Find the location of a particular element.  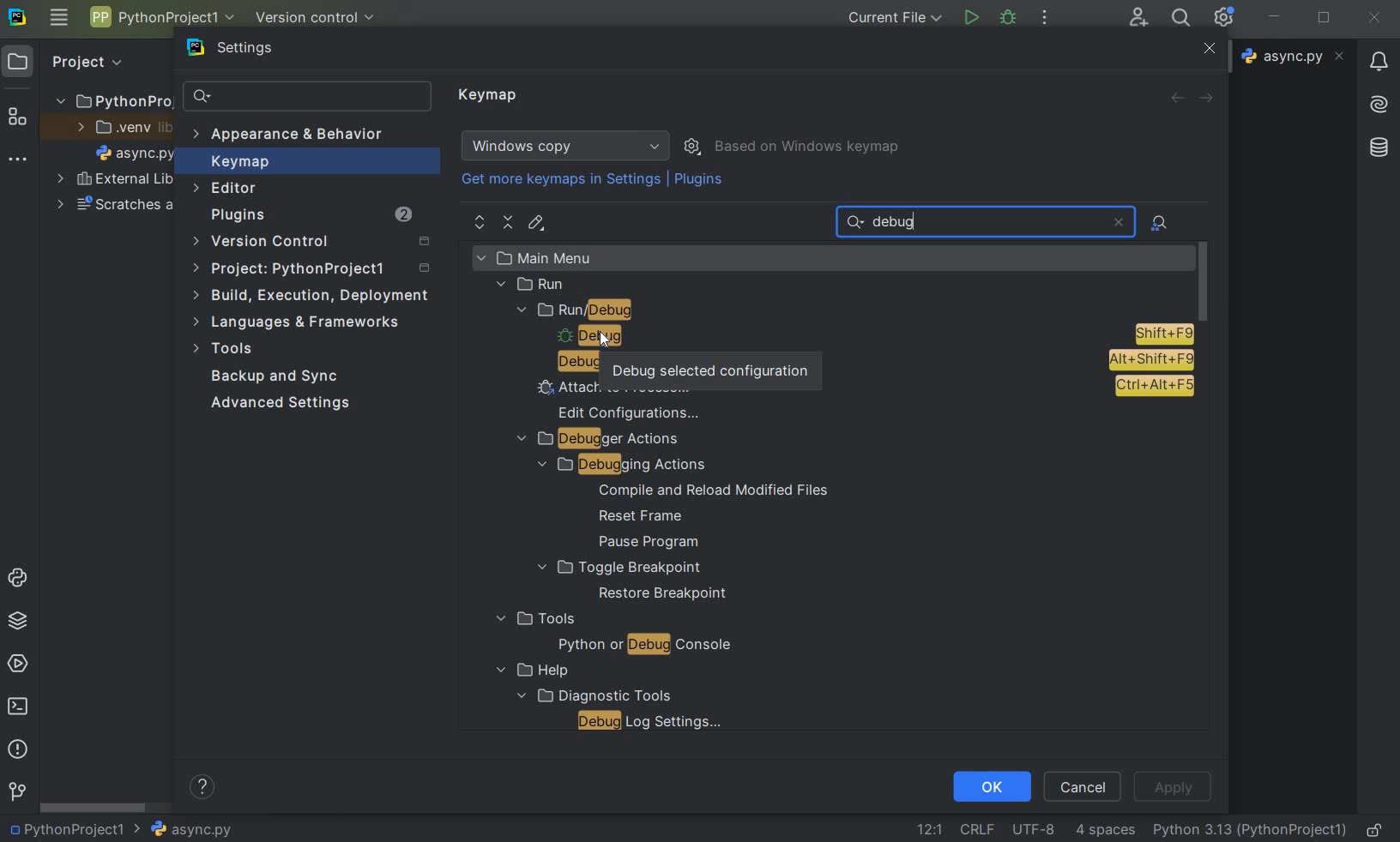

main menu is located at coordinates (58, 17).